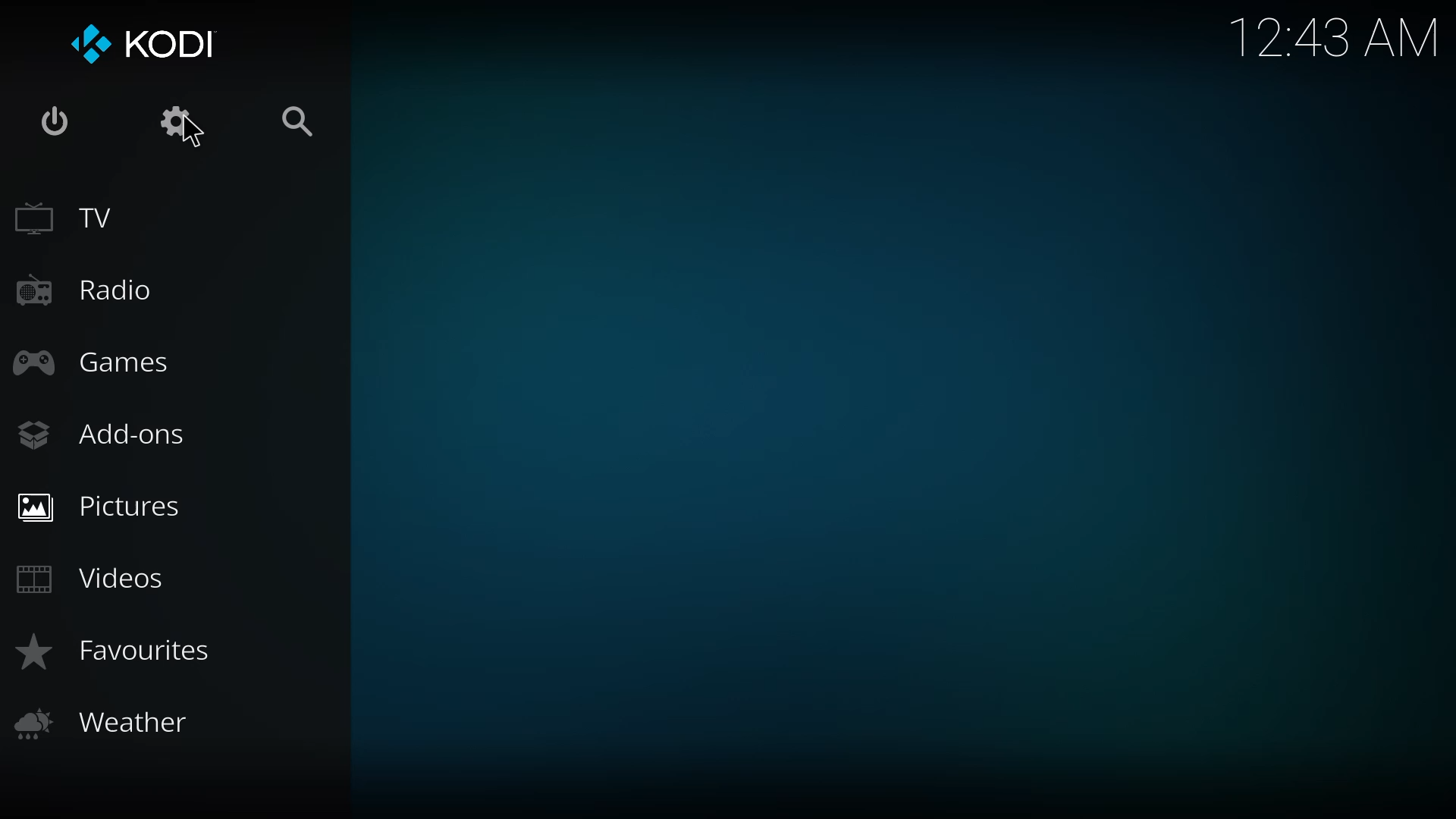  Describe the element at coordinates (93, 579) in the screenshot. I see `videos` at that location.